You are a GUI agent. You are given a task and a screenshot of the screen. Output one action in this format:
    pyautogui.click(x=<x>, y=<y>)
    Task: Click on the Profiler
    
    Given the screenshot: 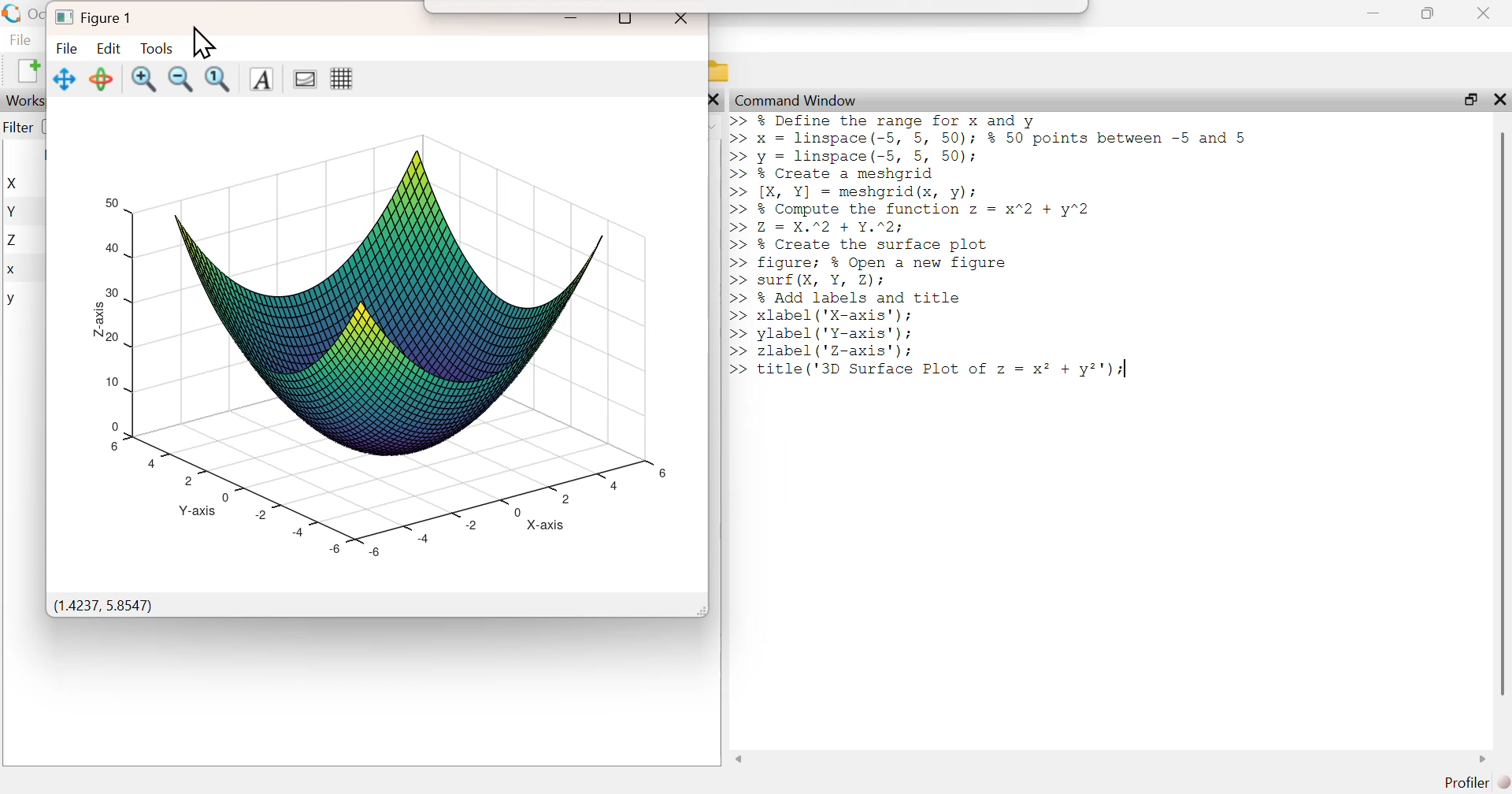 What is the action you would take?
    pyautogui.click(x=1477, y=783)
    